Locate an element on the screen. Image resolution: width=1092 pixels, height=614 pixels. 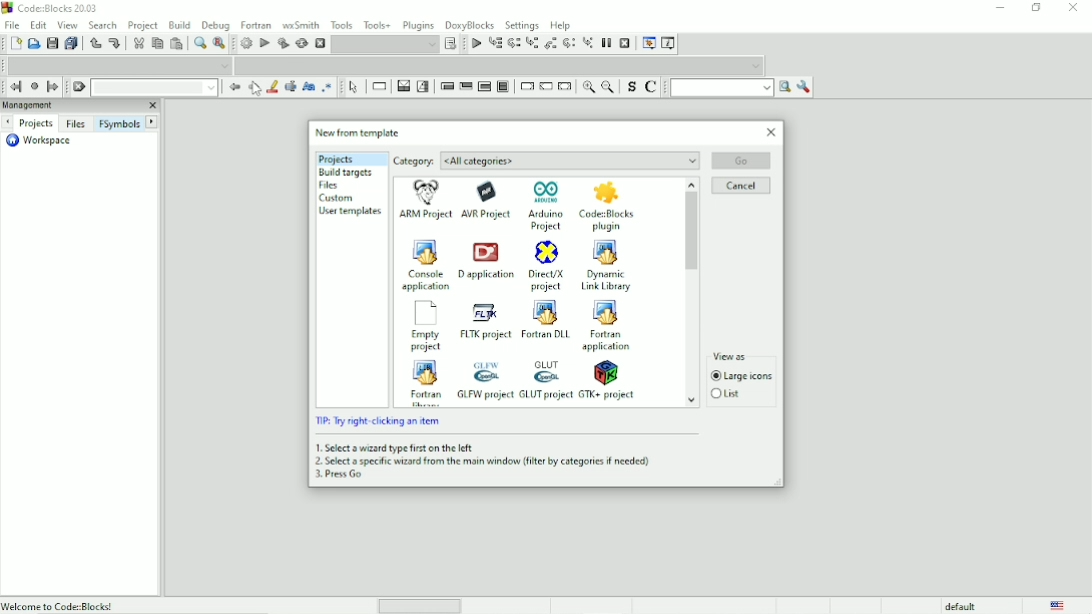
Abort is located at coordinates (320, 43).